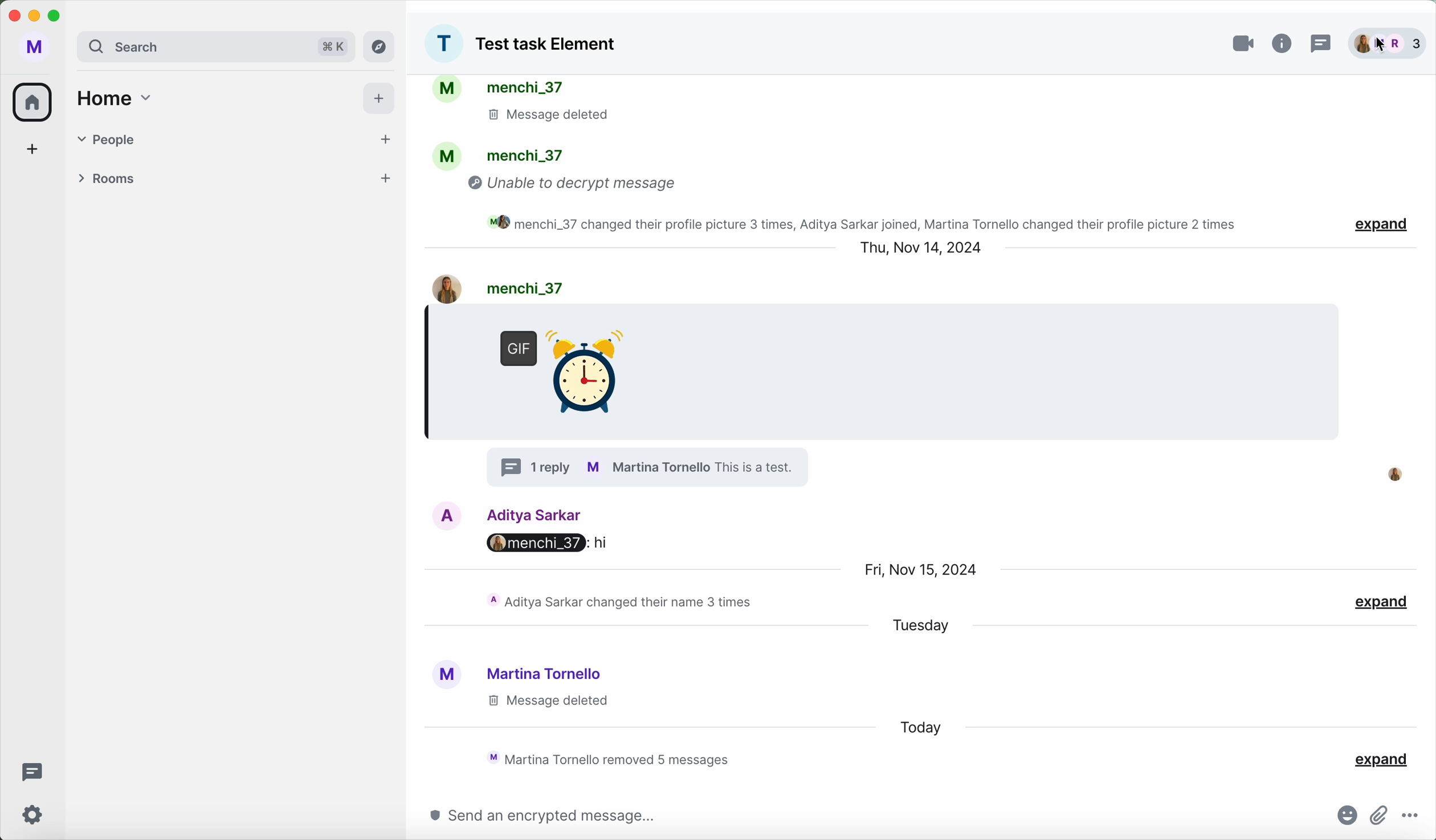 The width and height of the screenshot is (1436, 840). What do you see at coordinates (214, 137) in the screenshot?
I see `people` at bounding box center [214, 137].